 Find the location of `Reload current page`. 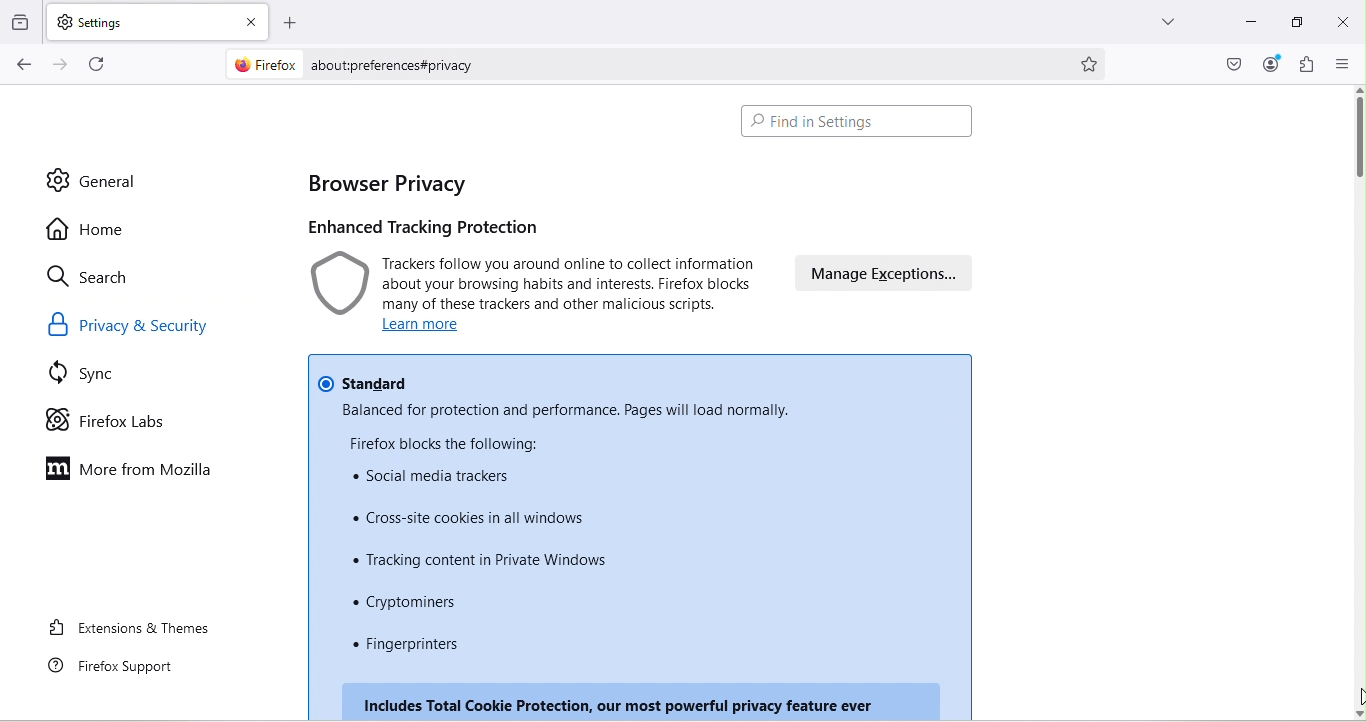

Reload current page is located at coordinates (99, 64).